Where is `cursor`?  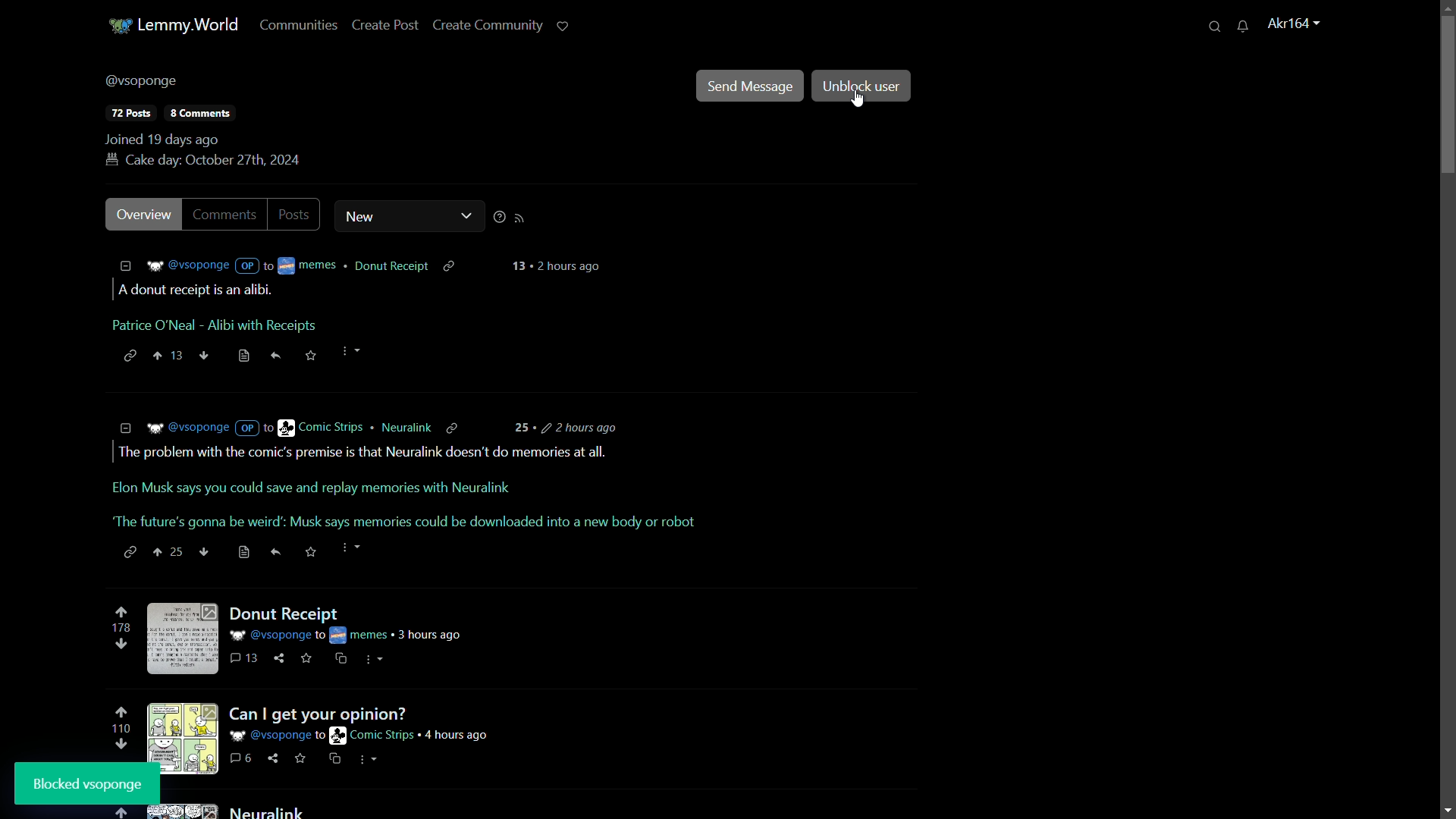
cursor is located at coordinates (858, 101).